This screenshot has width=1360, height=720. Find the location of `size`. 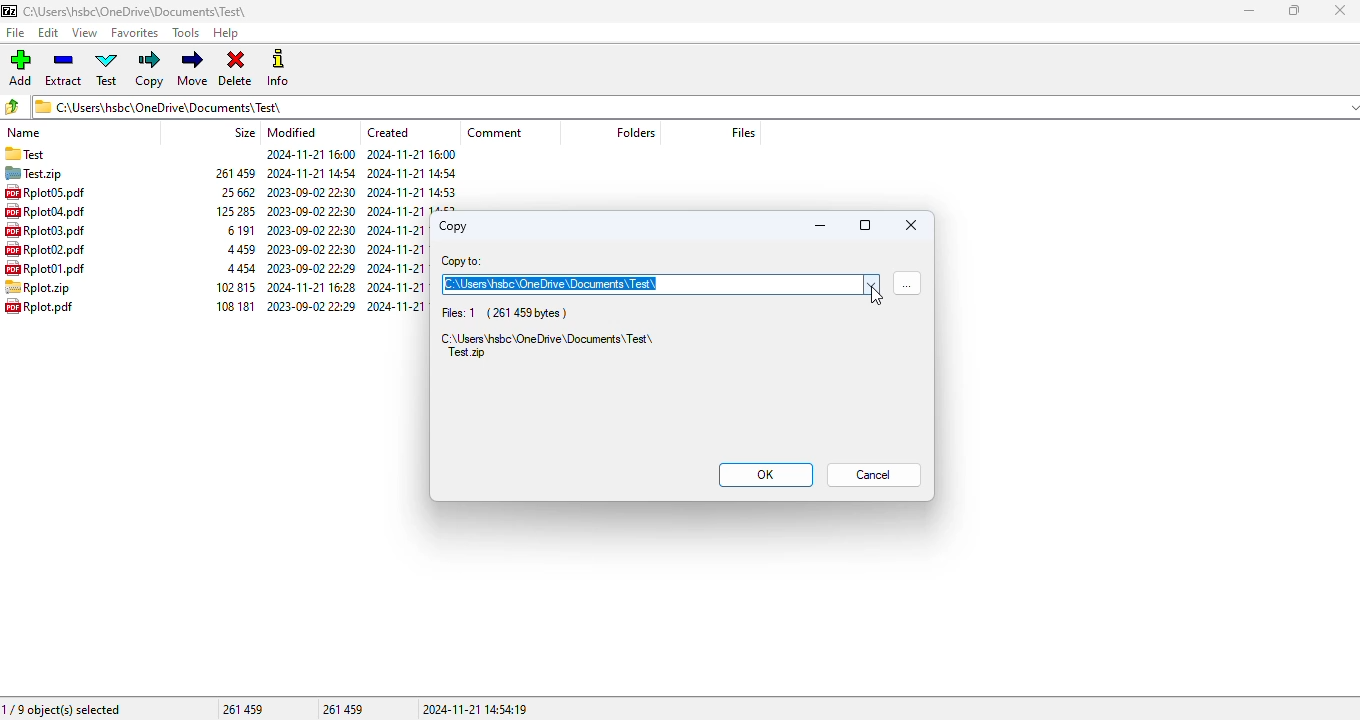

size is located at coordinates (238, 230).